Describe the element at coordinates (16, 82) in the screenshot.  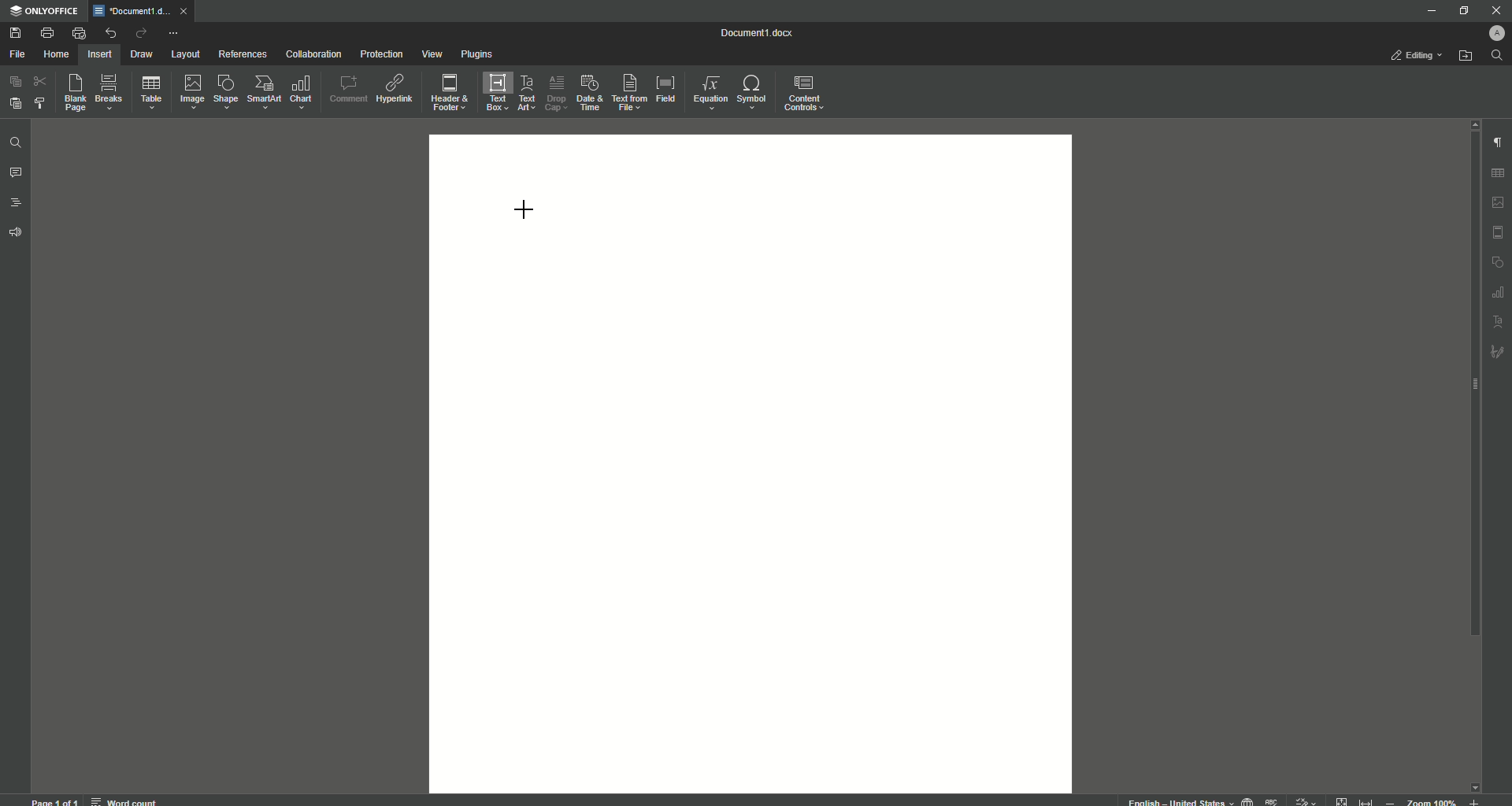
I see `Copy` at that location.